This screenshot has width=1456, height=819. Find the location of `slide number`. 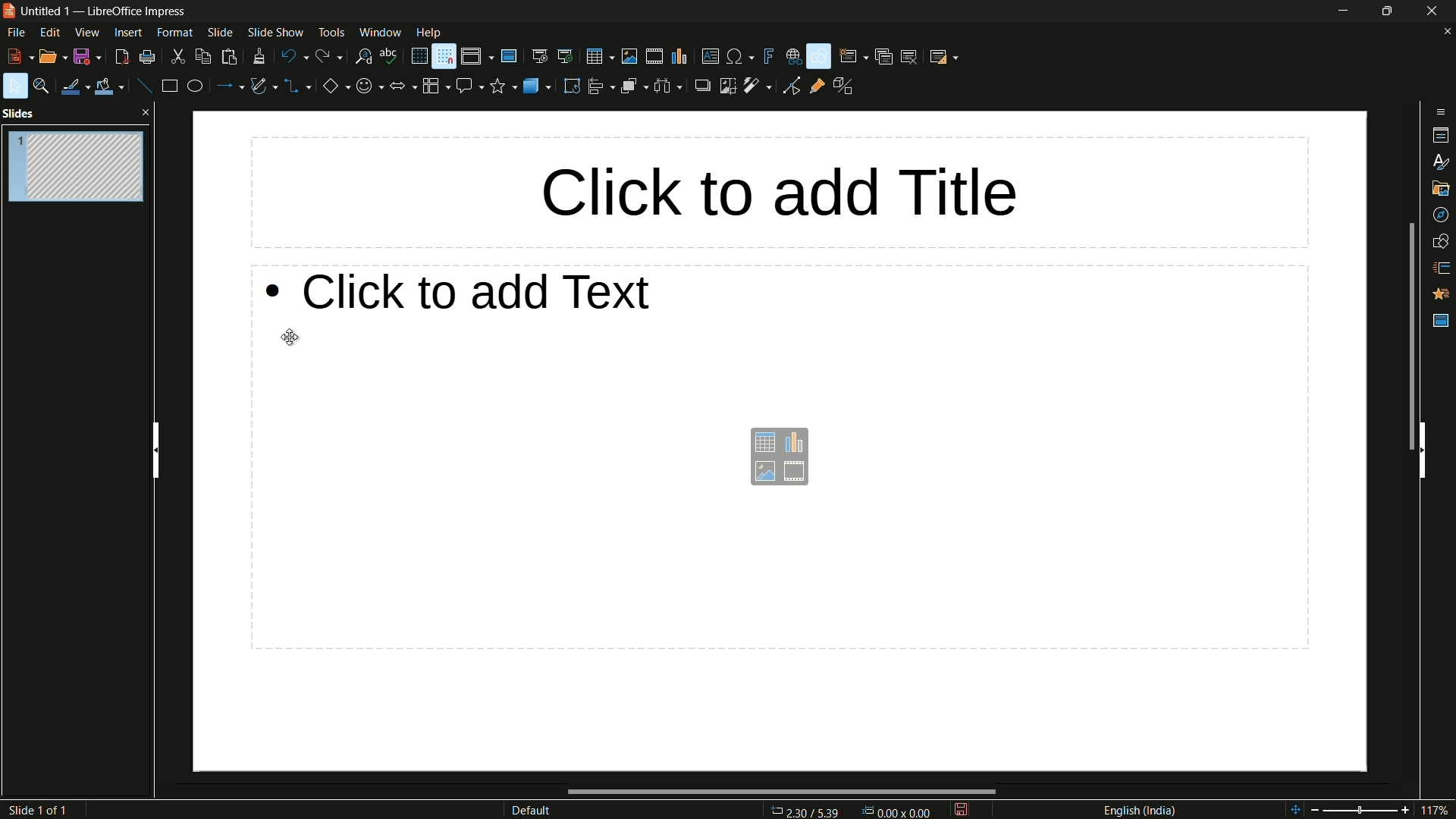

slide number is located at coordinates (36, 810).